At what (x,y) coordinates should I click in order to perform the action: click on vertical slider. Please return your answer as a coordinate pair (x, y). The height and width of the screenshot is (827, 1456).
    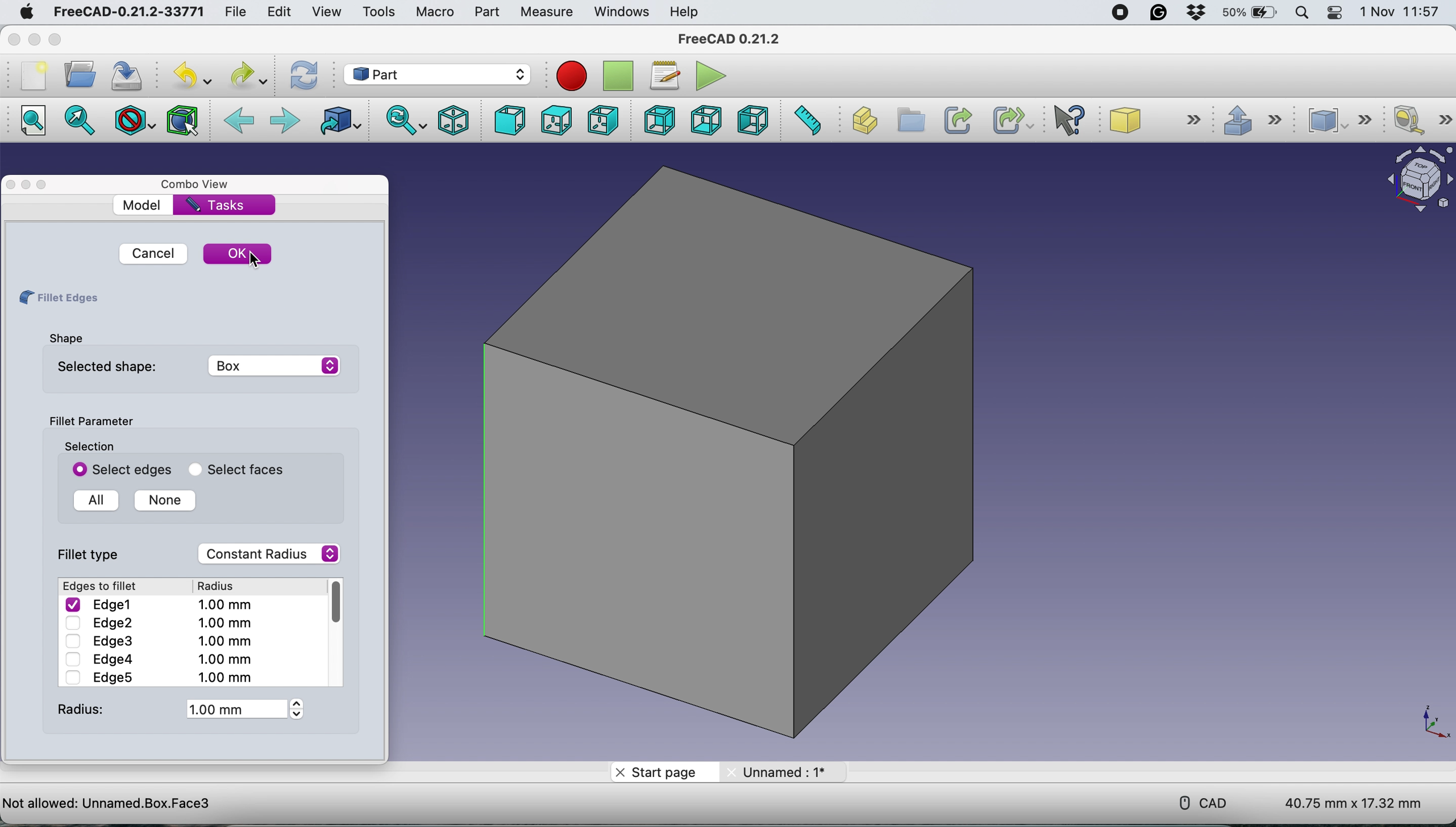
    Looking at the image, I should click on (336, 602).